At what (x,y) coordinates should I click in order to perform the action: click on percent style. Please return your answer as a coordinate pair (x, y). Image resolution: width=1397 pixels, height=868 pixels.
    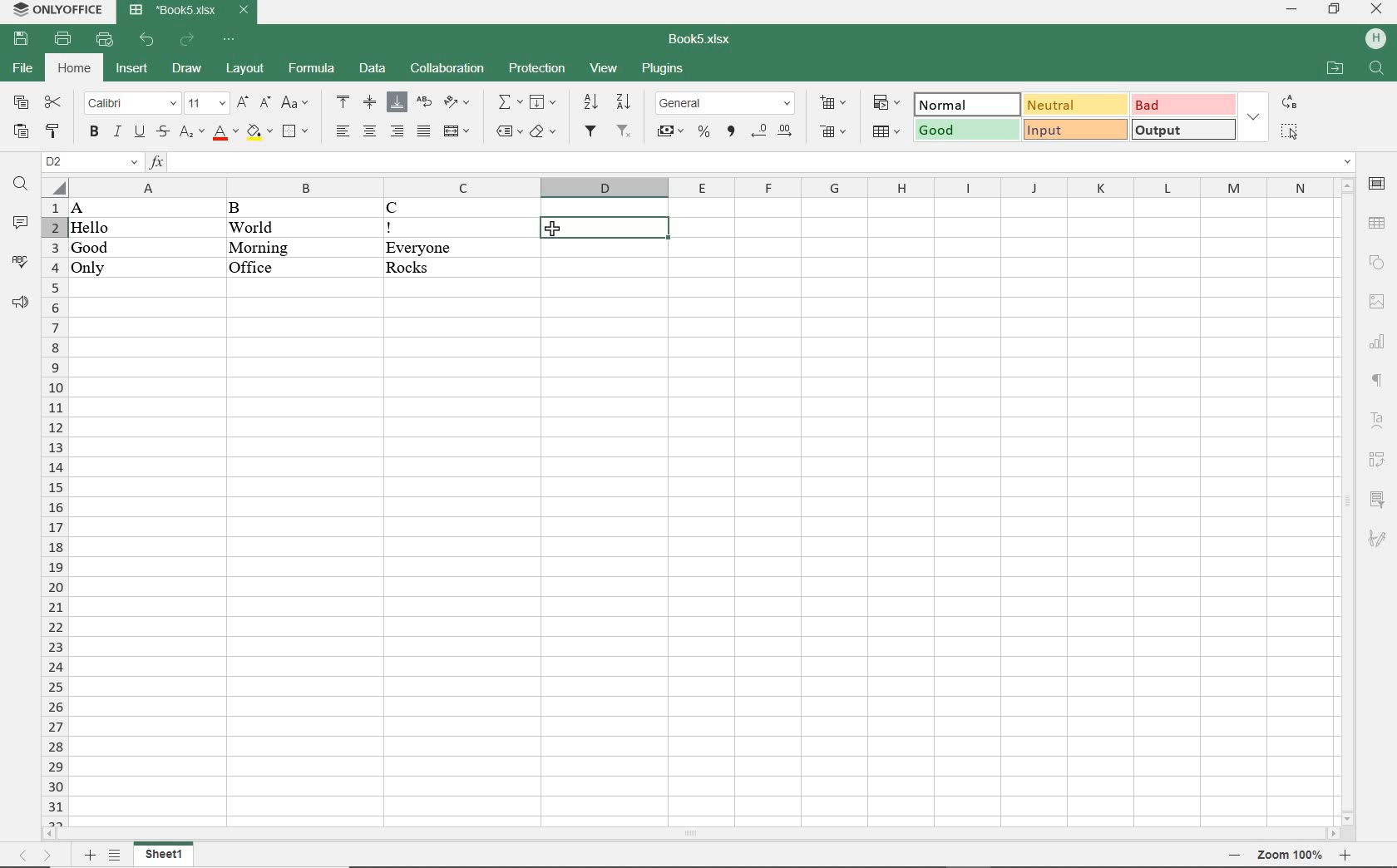
    Looking at the image, I should click on (703, 133).